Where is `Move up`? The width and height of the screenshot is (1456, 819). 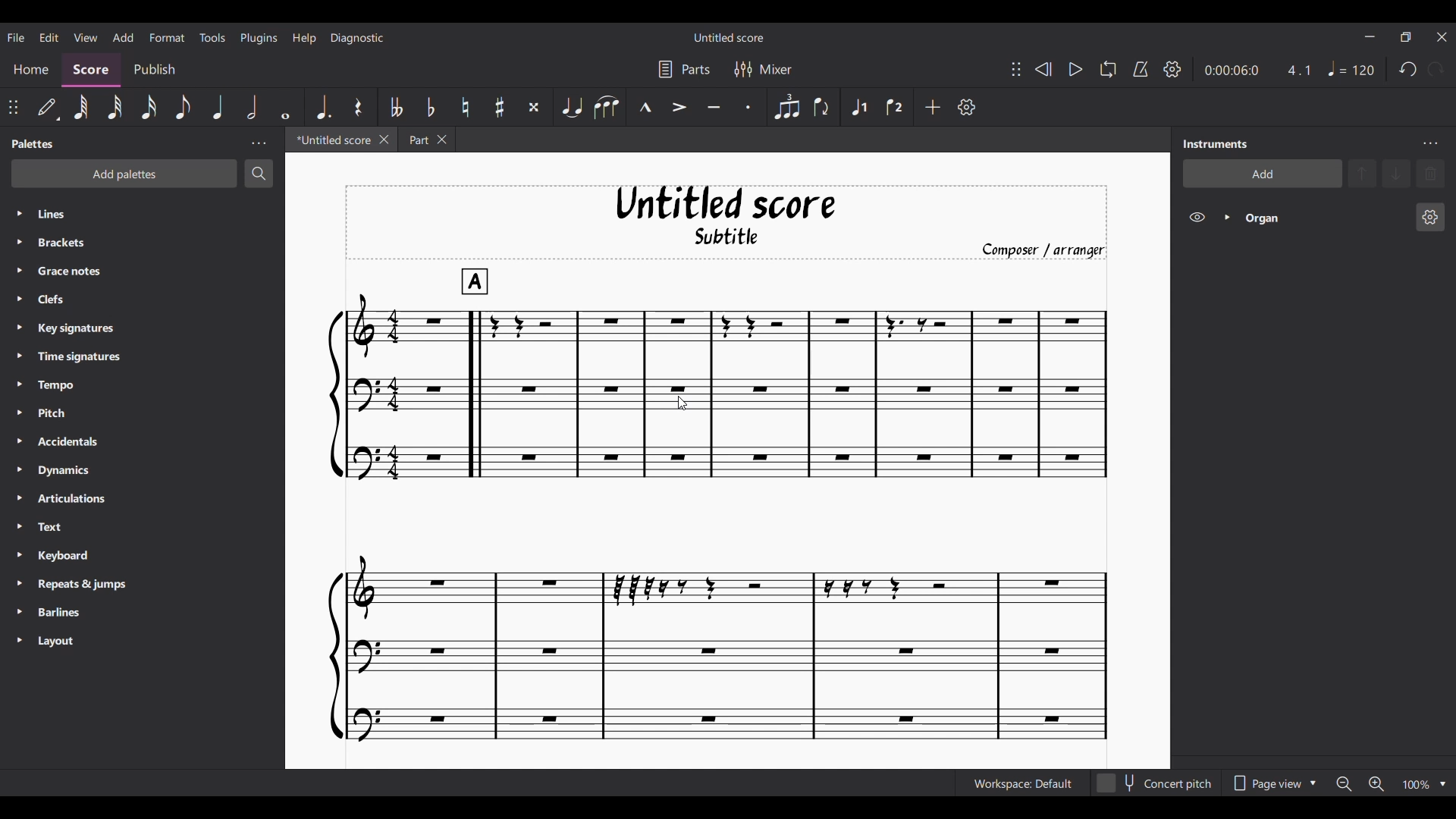
Move up is located at coordinates (1362, 173).